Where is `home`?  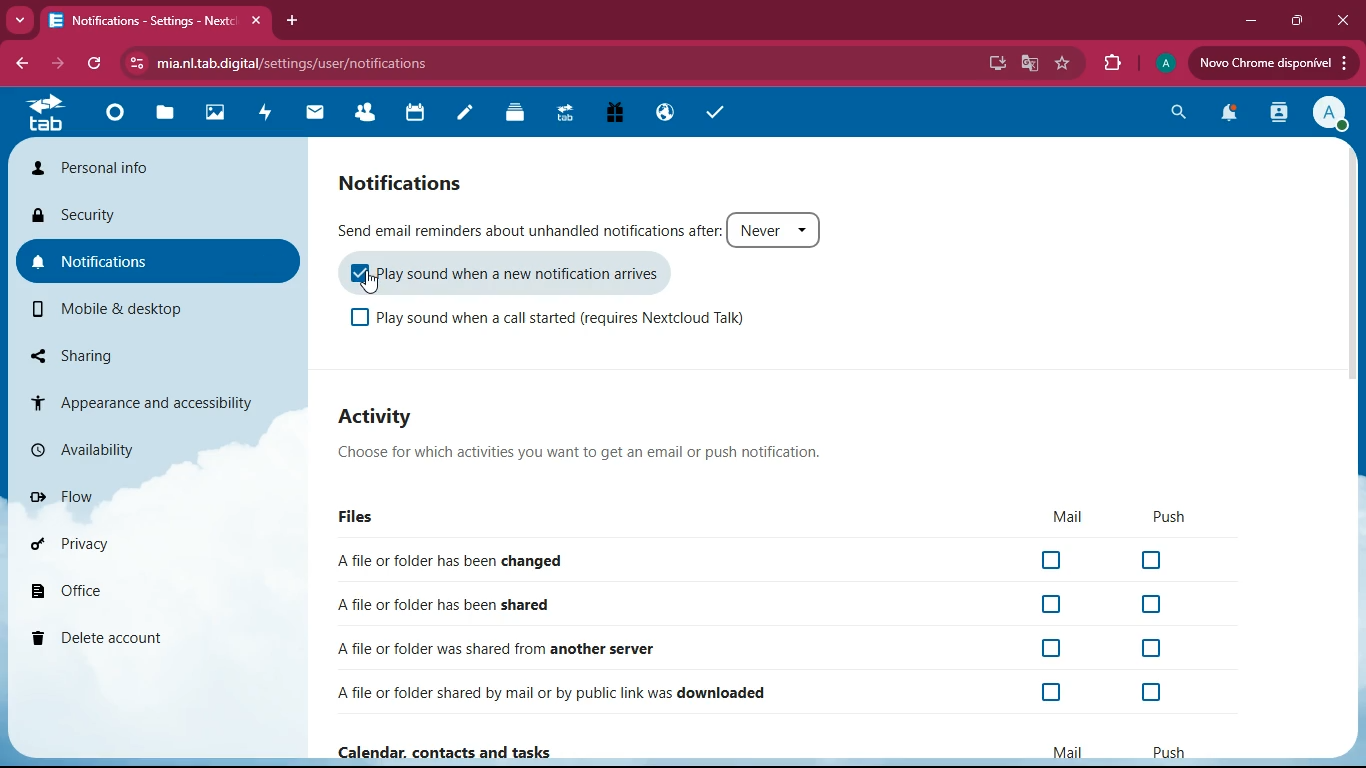
home is located at coordinates (119, 120).